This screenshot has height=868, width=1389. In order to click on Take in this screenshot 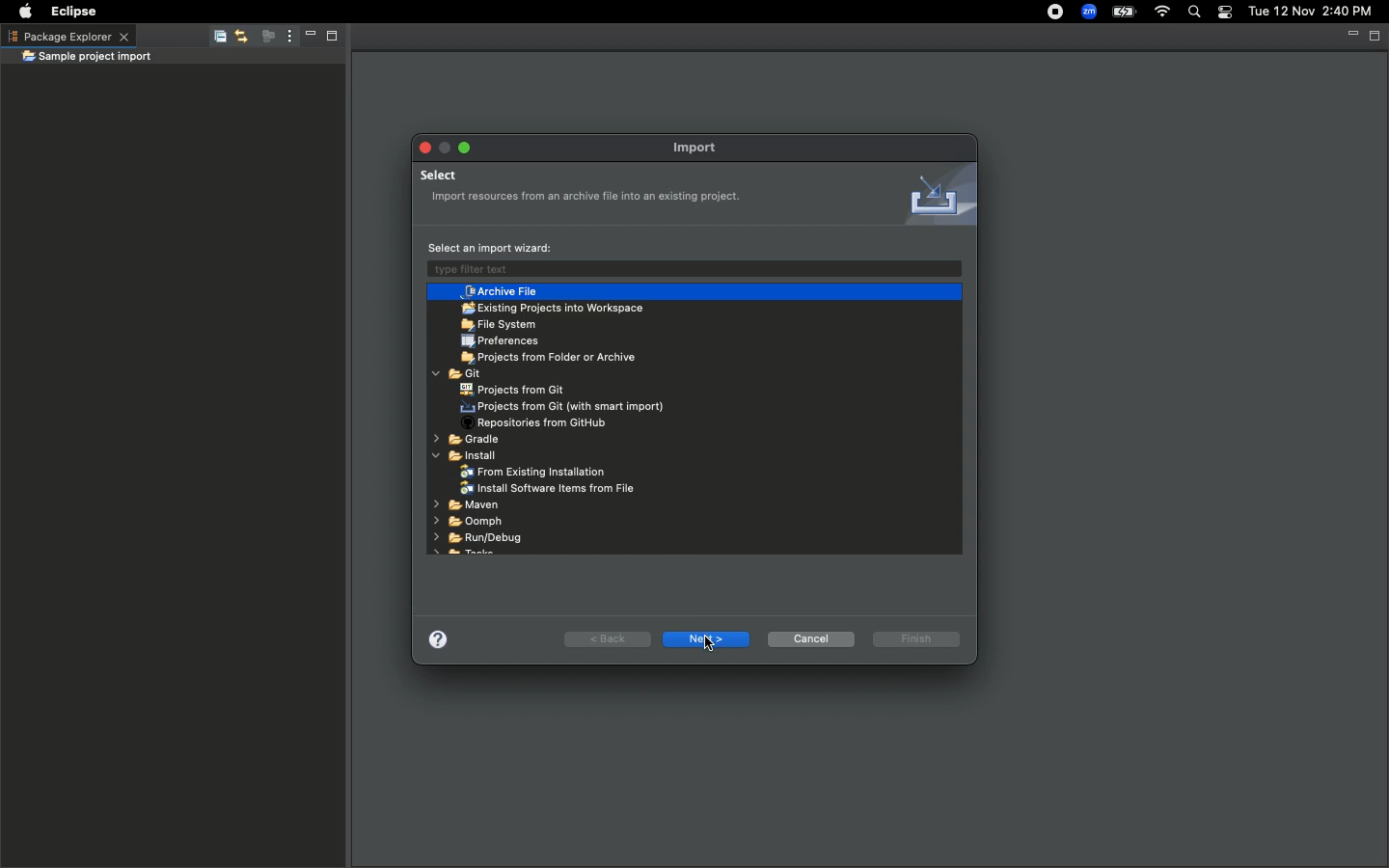, I will do `click(466, 556)`.